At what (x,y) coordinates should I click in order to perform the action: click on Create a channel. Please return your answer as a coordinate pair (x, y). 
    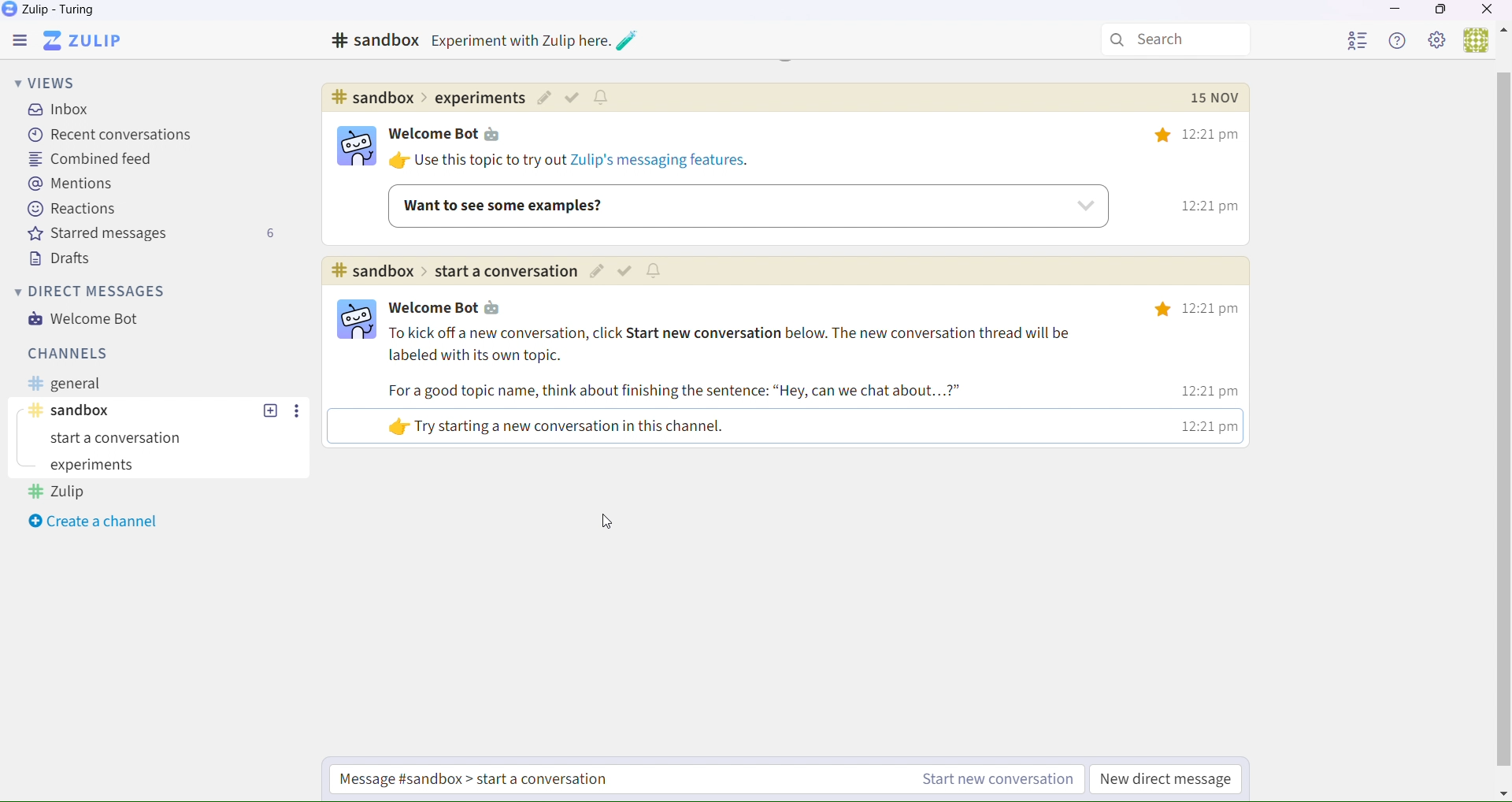
    Looking at the image, I should click on (98, 522).